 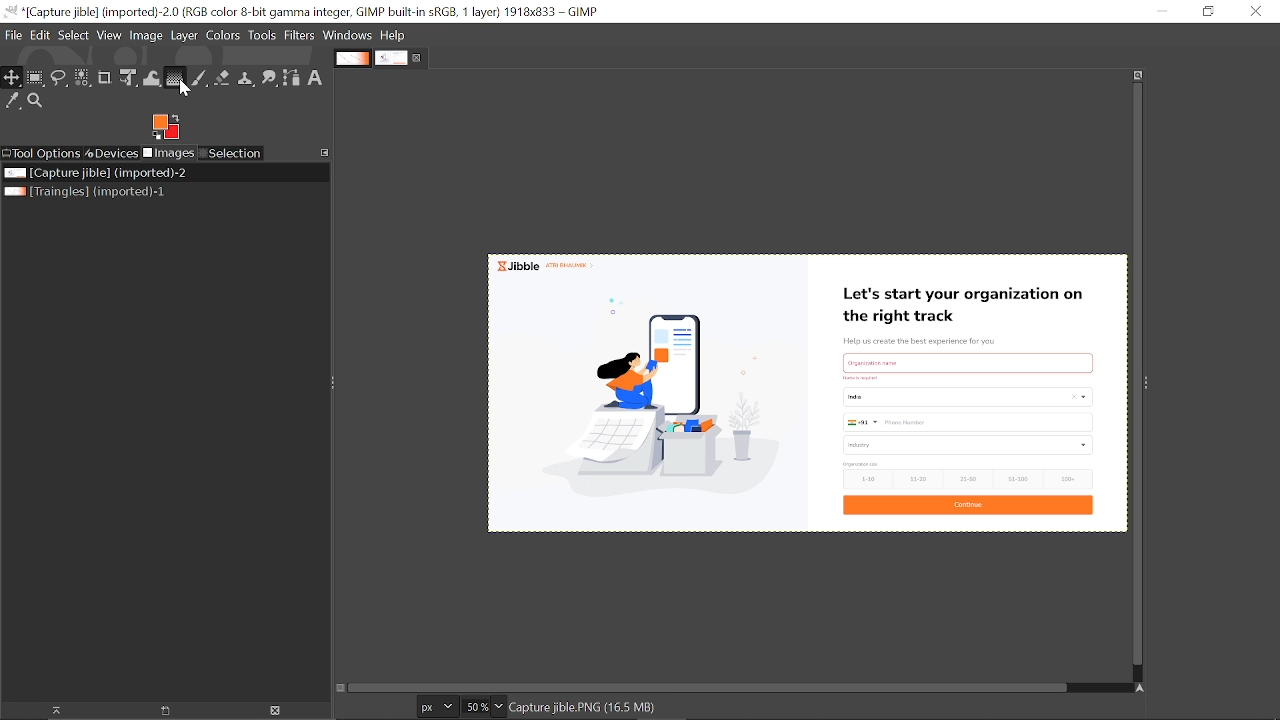 I want to click on Unified transform tool, so click(x=130, y=78).